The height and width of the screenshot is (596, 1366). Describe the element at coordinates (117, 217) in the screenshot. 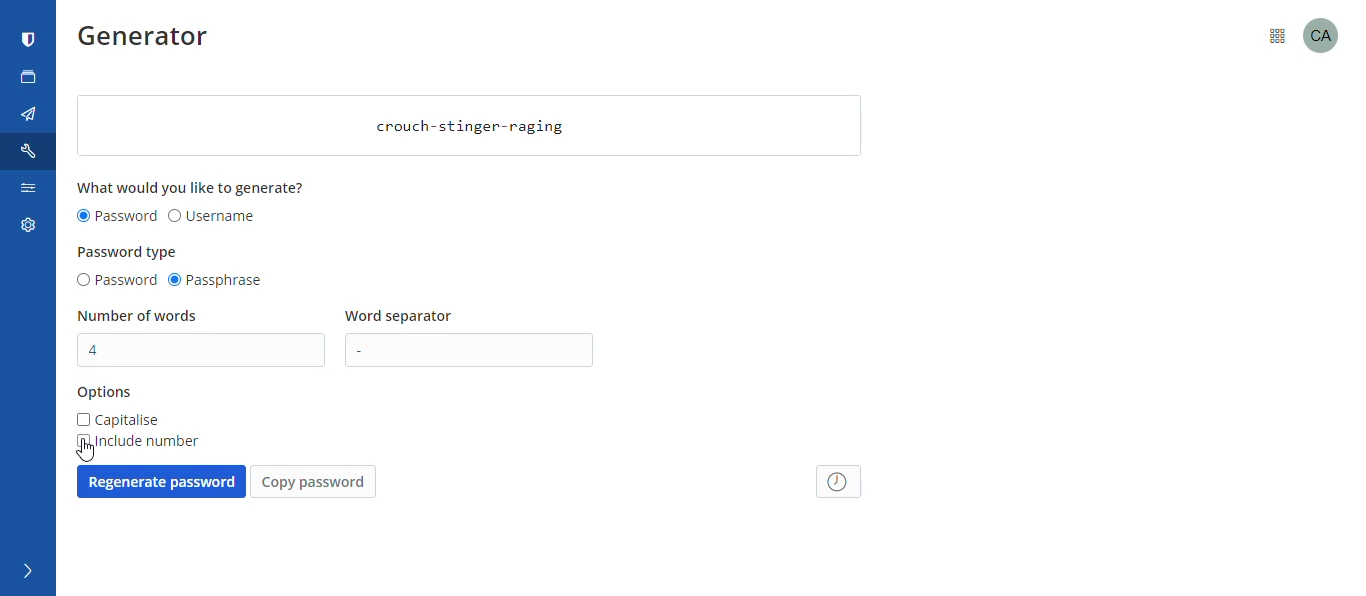

I see `password radio button` at that location.